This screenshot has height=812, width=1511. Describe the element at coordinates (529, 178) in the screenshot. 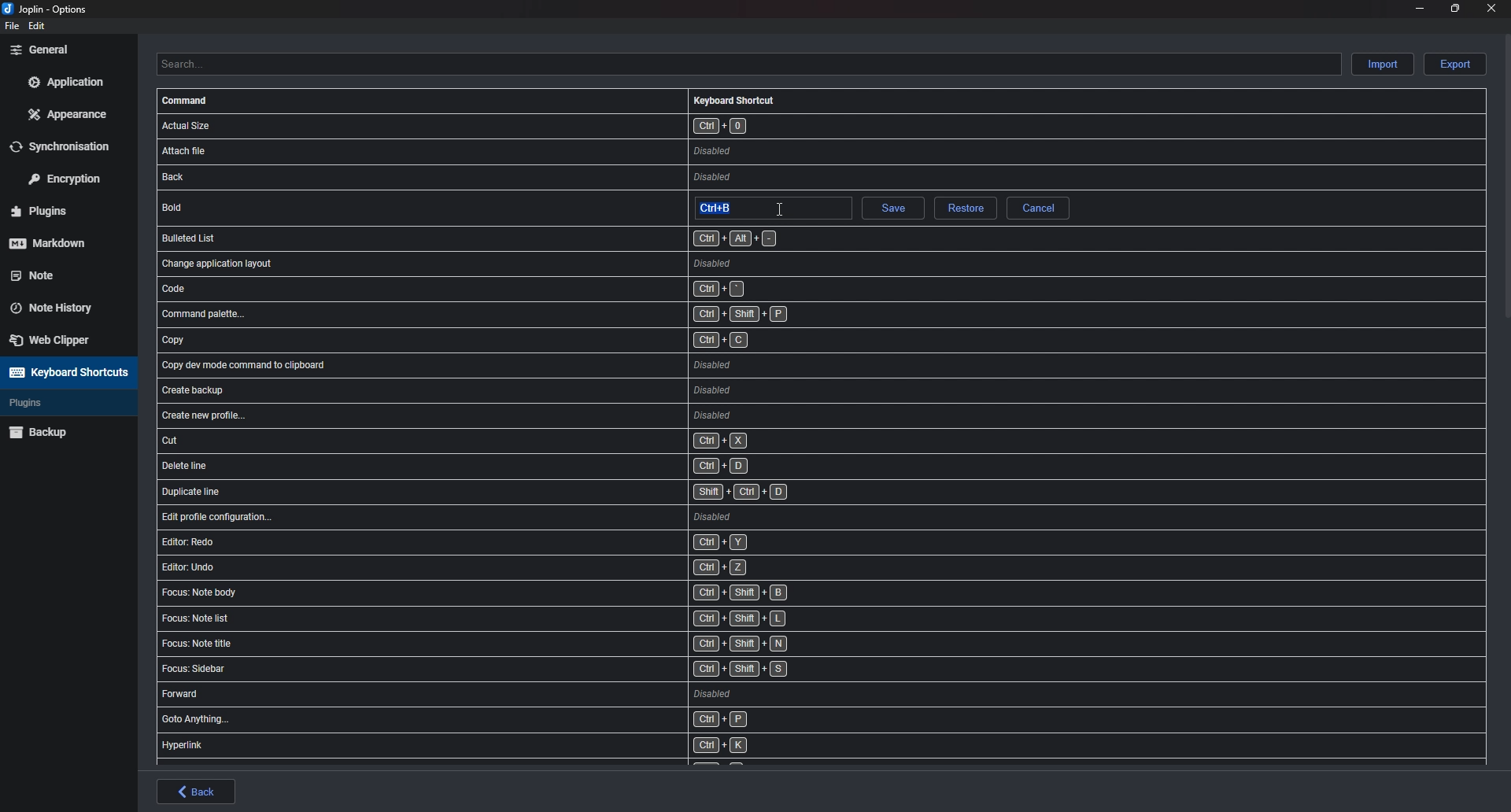

I see `shortcut` at that location.